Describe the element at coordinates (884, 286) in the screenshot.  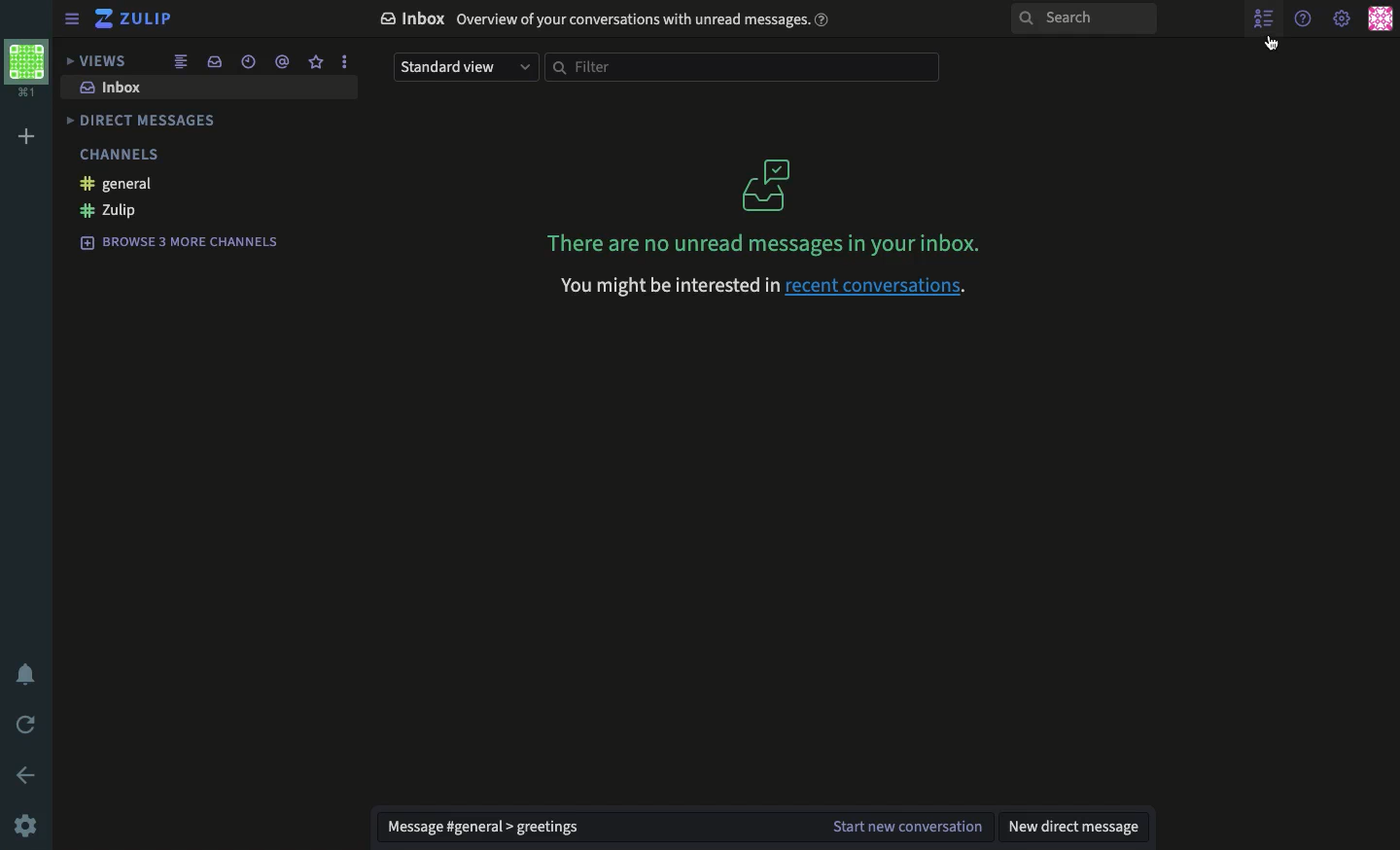
I see `recent conversations` at that location.